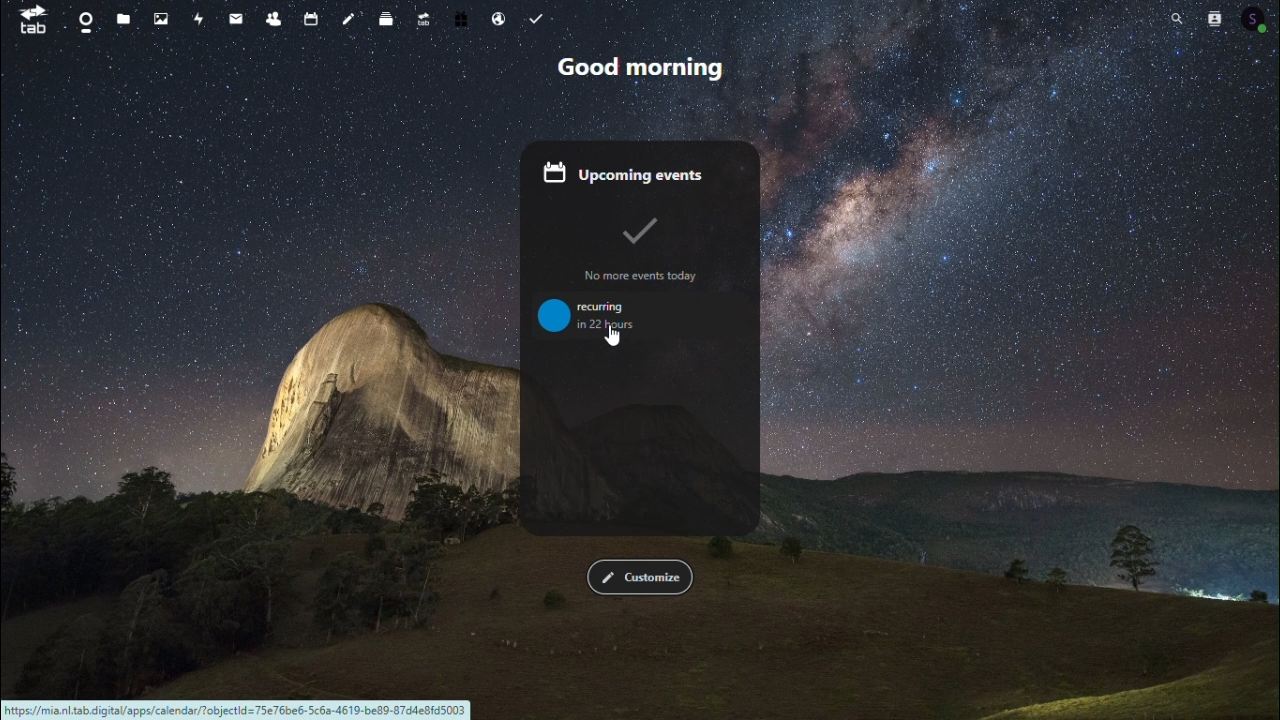  I want to click on Icon, so click(550, 316).